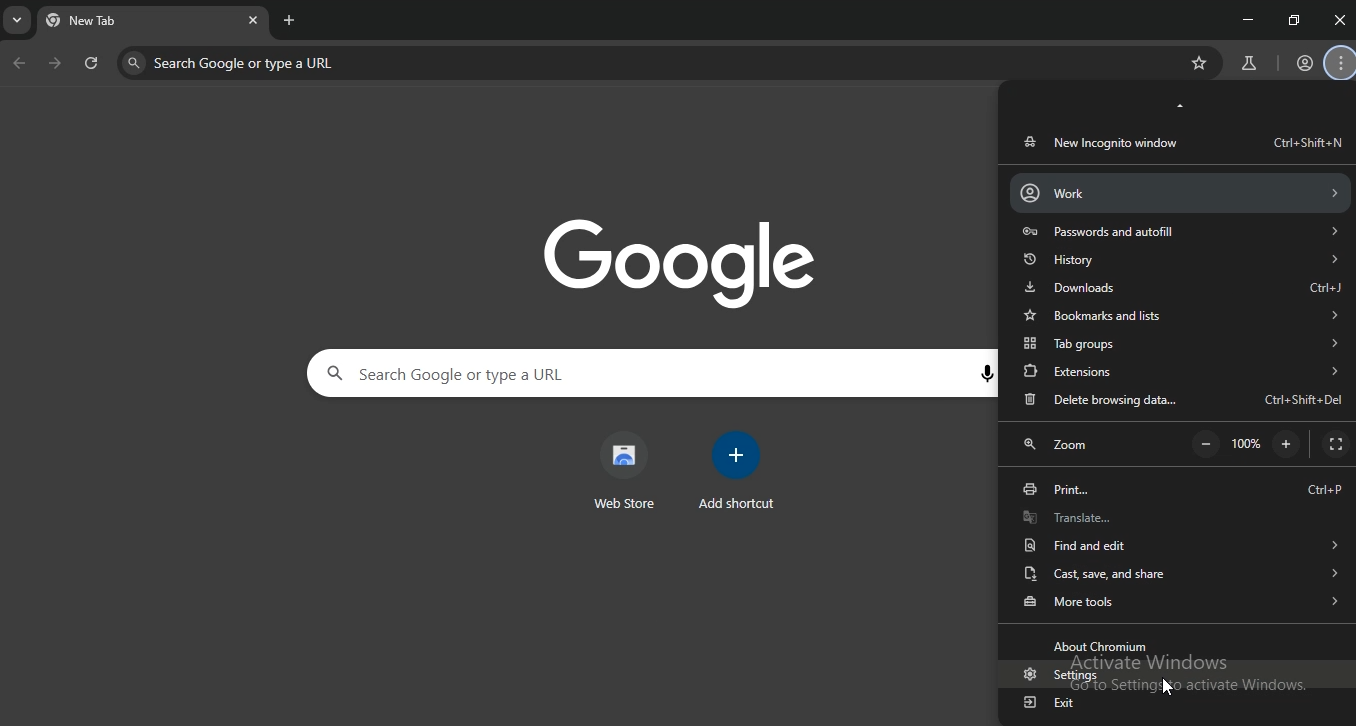  Describe the element at coordinates (1244, 18) in the screenshot. I see `minimize` at that location.